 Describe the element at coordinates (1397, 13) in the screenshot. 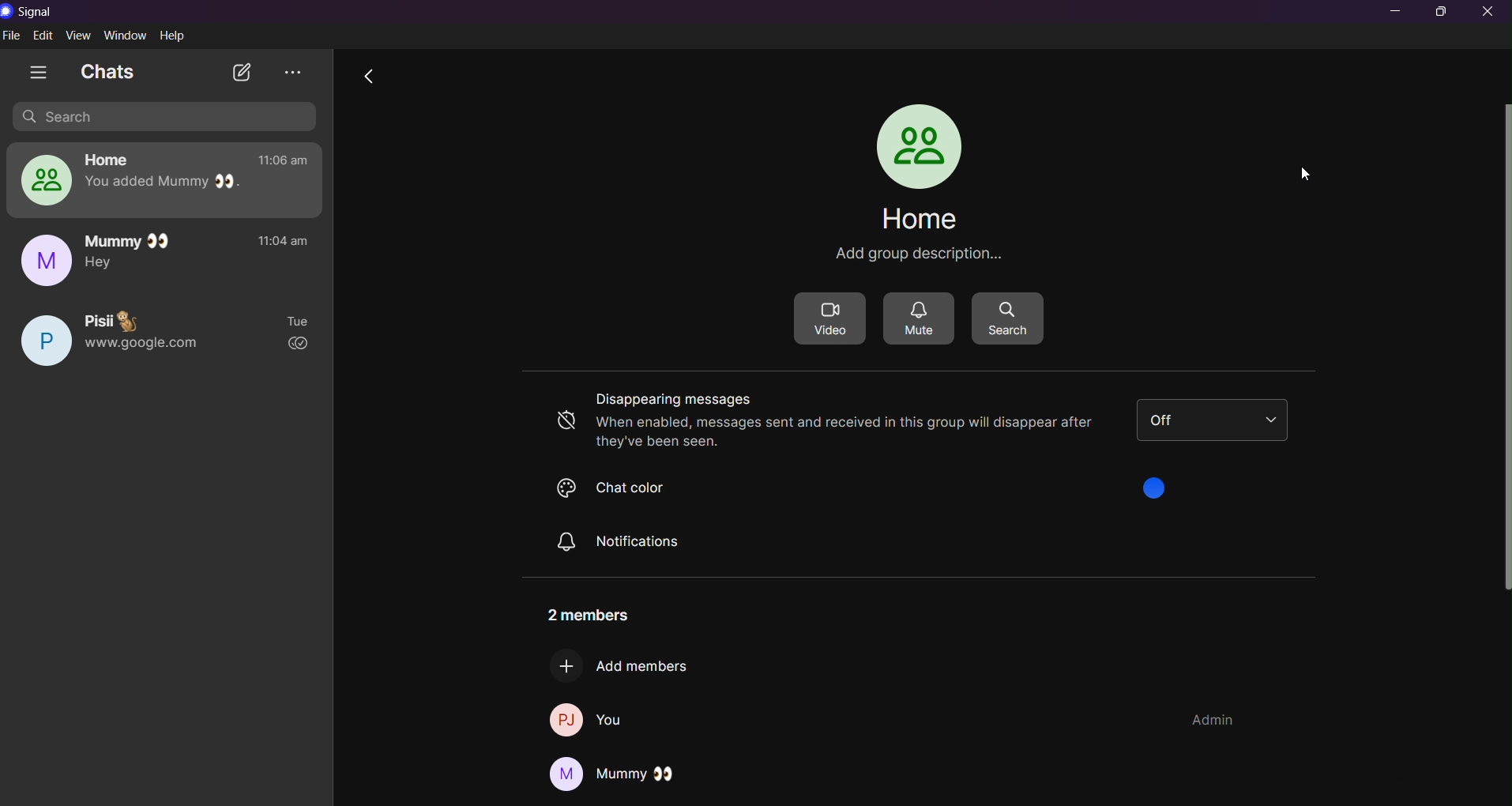

I see `minimize` at that location.